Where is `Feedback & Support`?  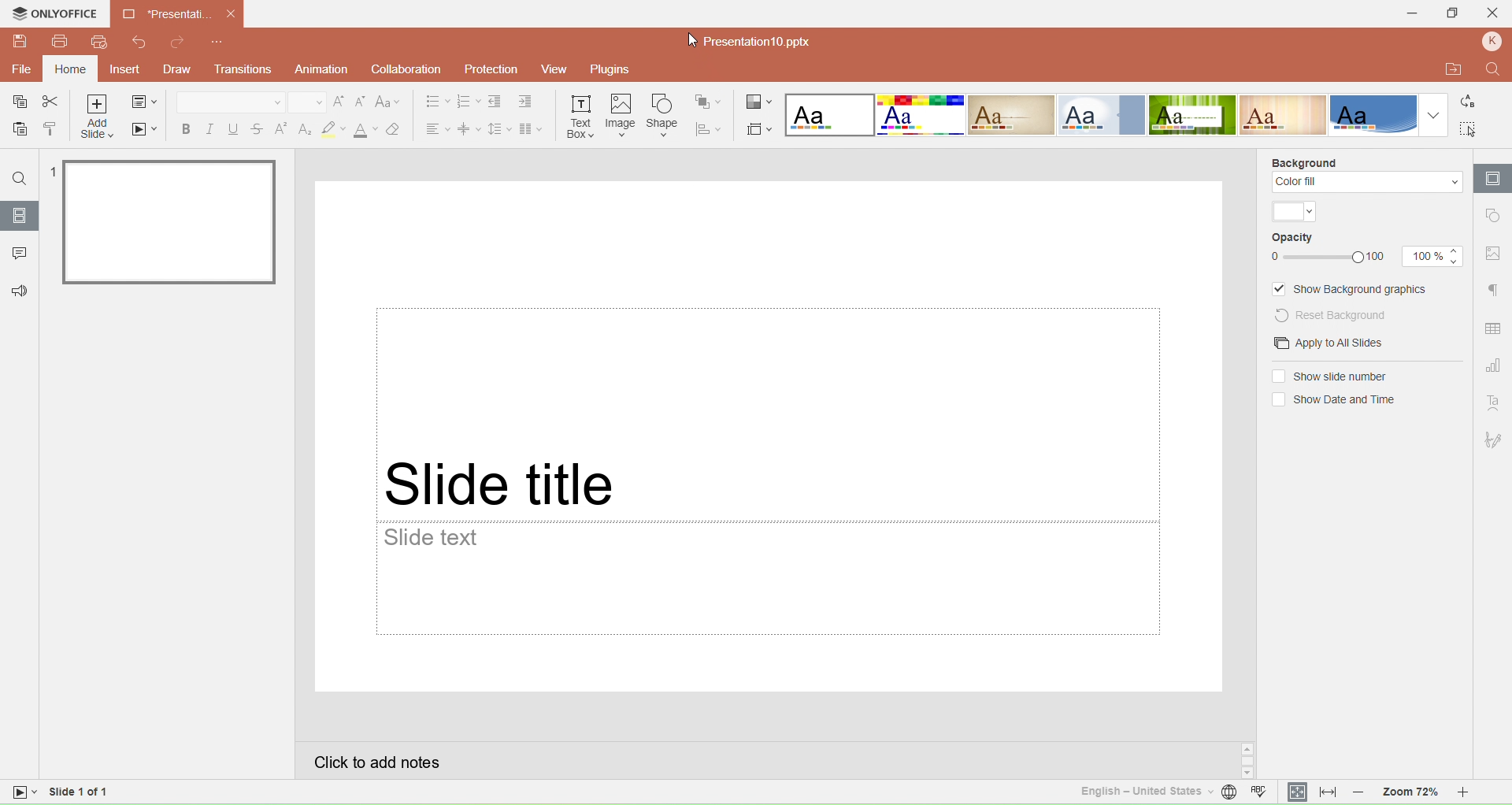
Feedback & Support is located at coordinates (17, 291).